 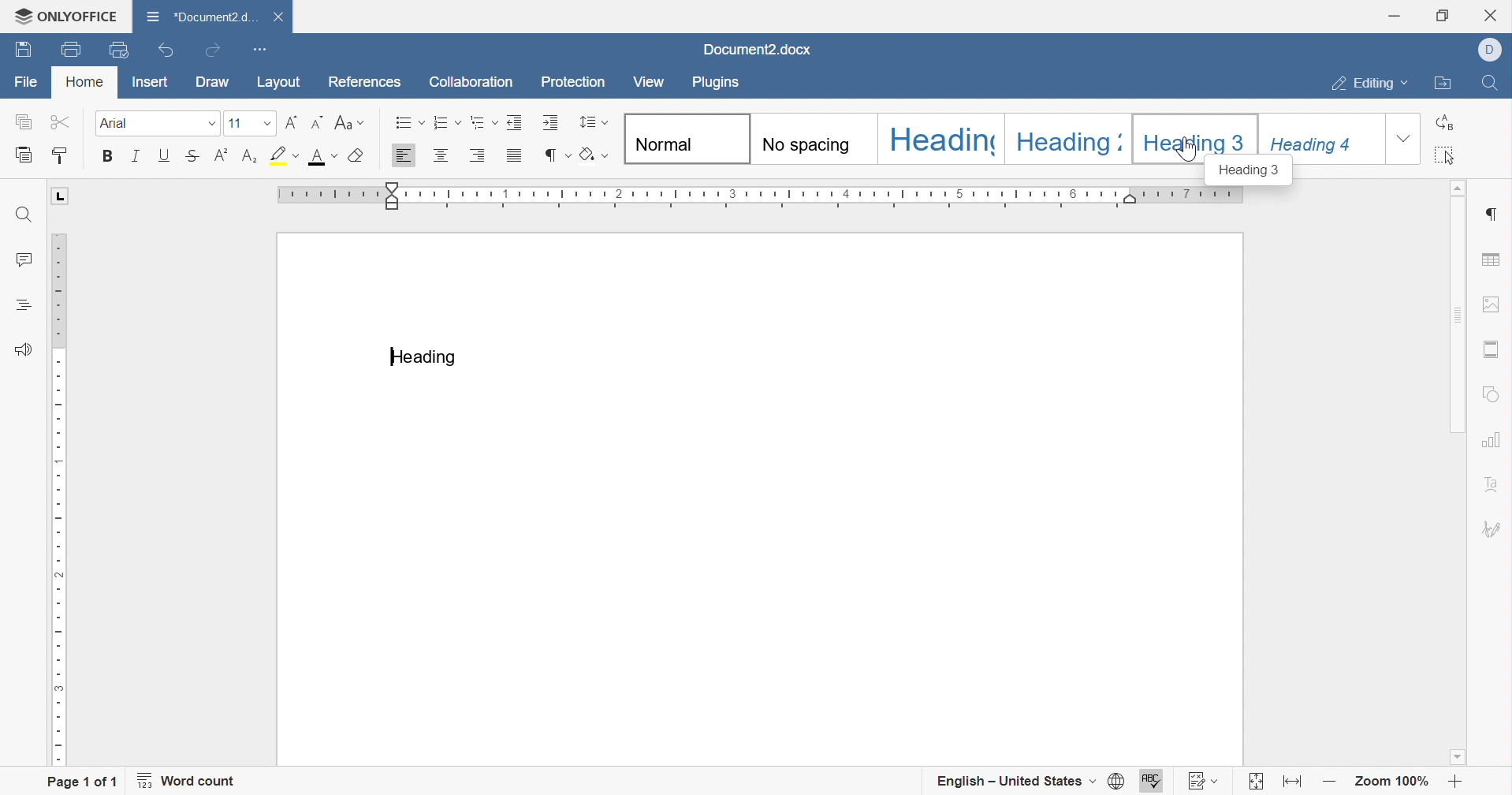 What do you see at coordinates (200, 17) in the screenshot?
I see `*Document2.docx` at bounding box center [200, 17].